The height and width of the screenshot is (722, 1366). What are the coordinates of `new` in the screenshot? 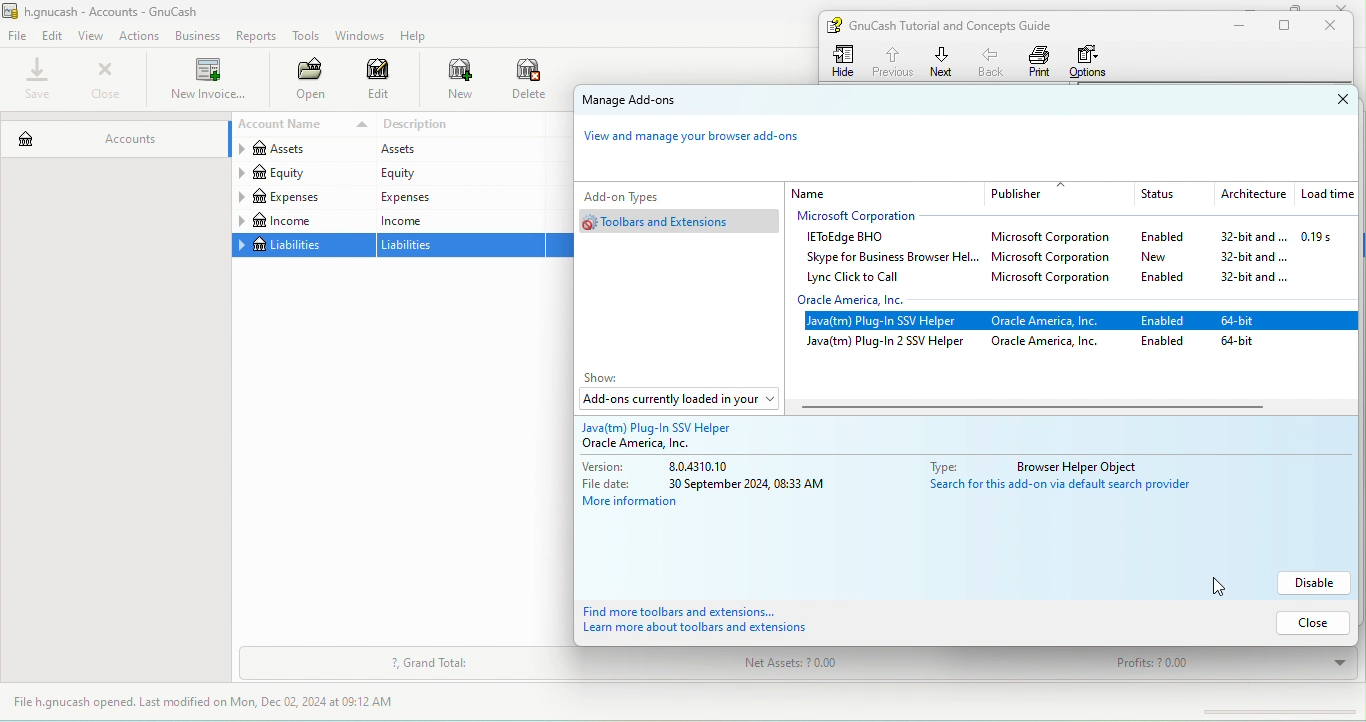 It's located at (450, 81).